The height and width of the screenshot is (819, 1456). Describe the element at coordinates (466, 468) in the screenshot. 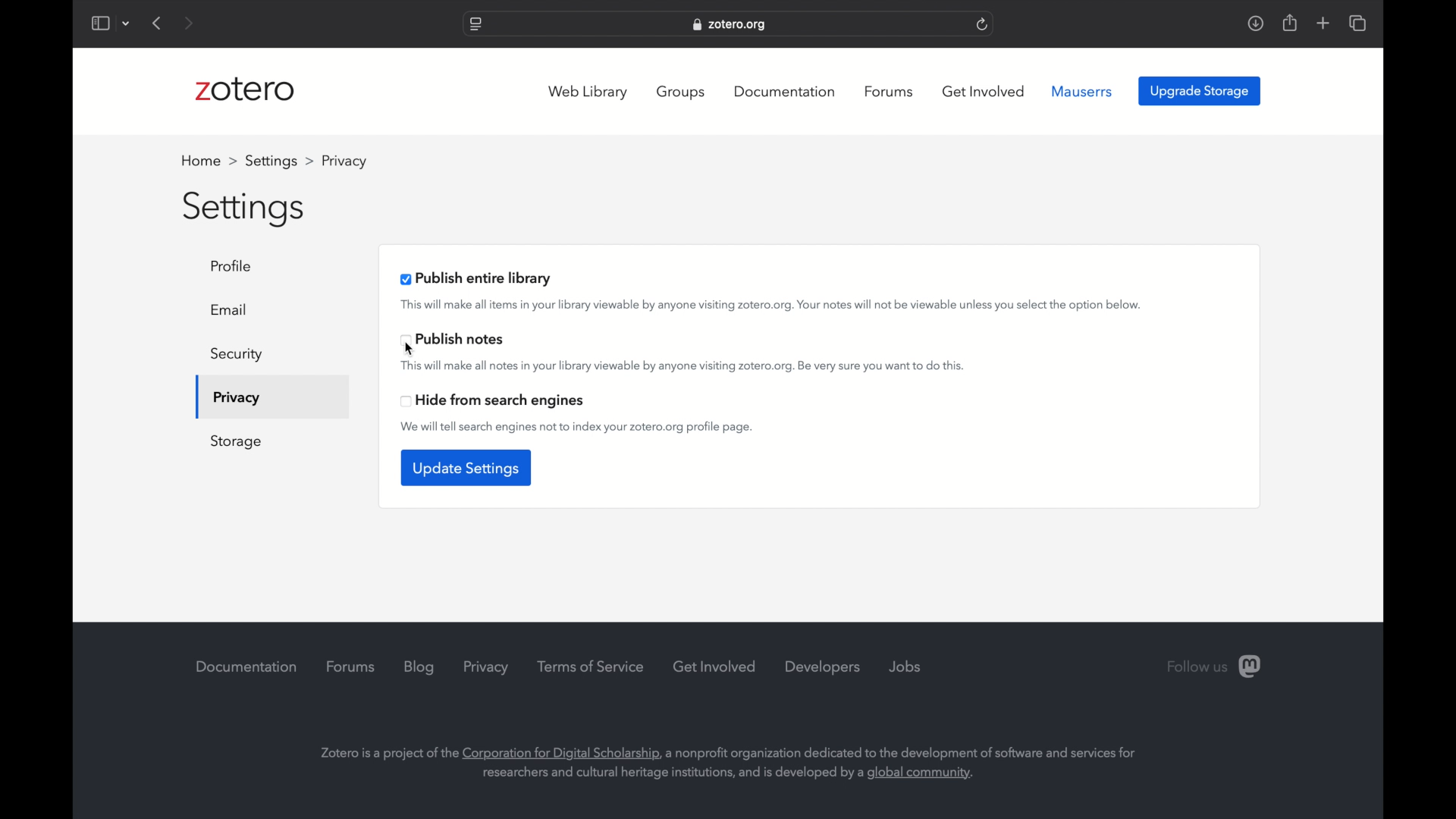

I see `update settings` at that location.